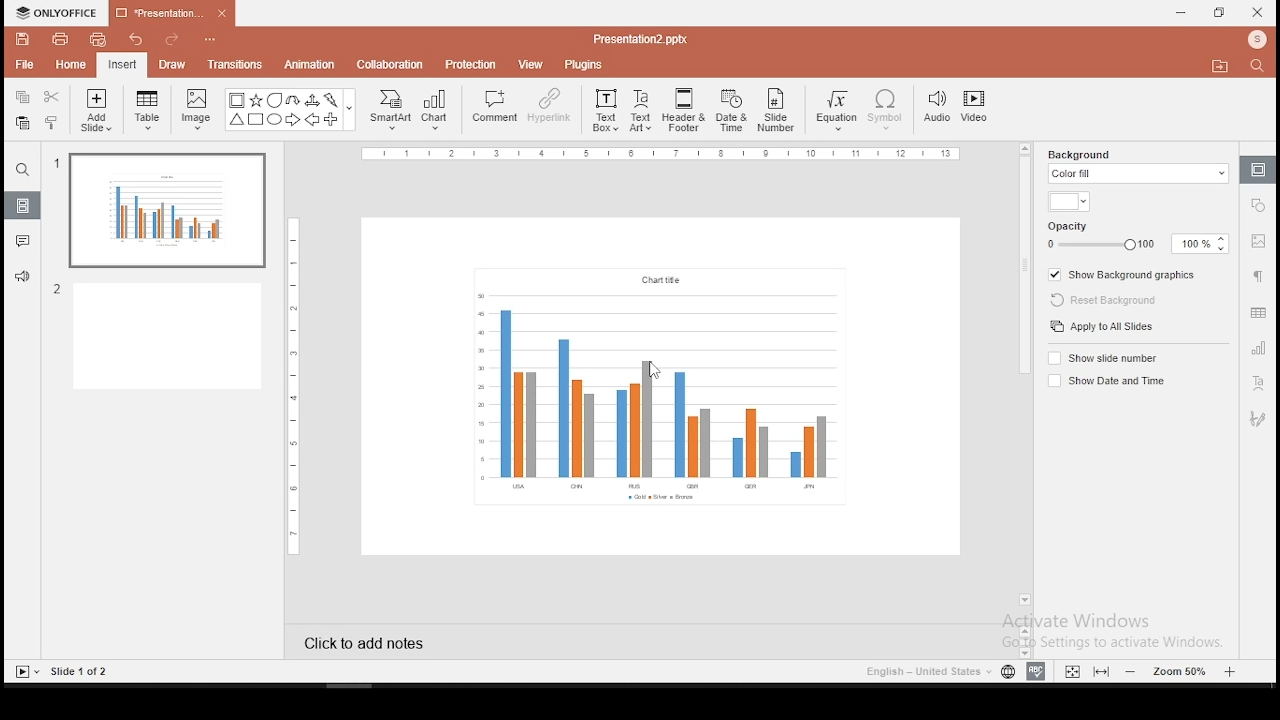  What do you see at coordinates (162, 337) in the screenshot?
I see `slide 2` at bounding box center [162, 337].